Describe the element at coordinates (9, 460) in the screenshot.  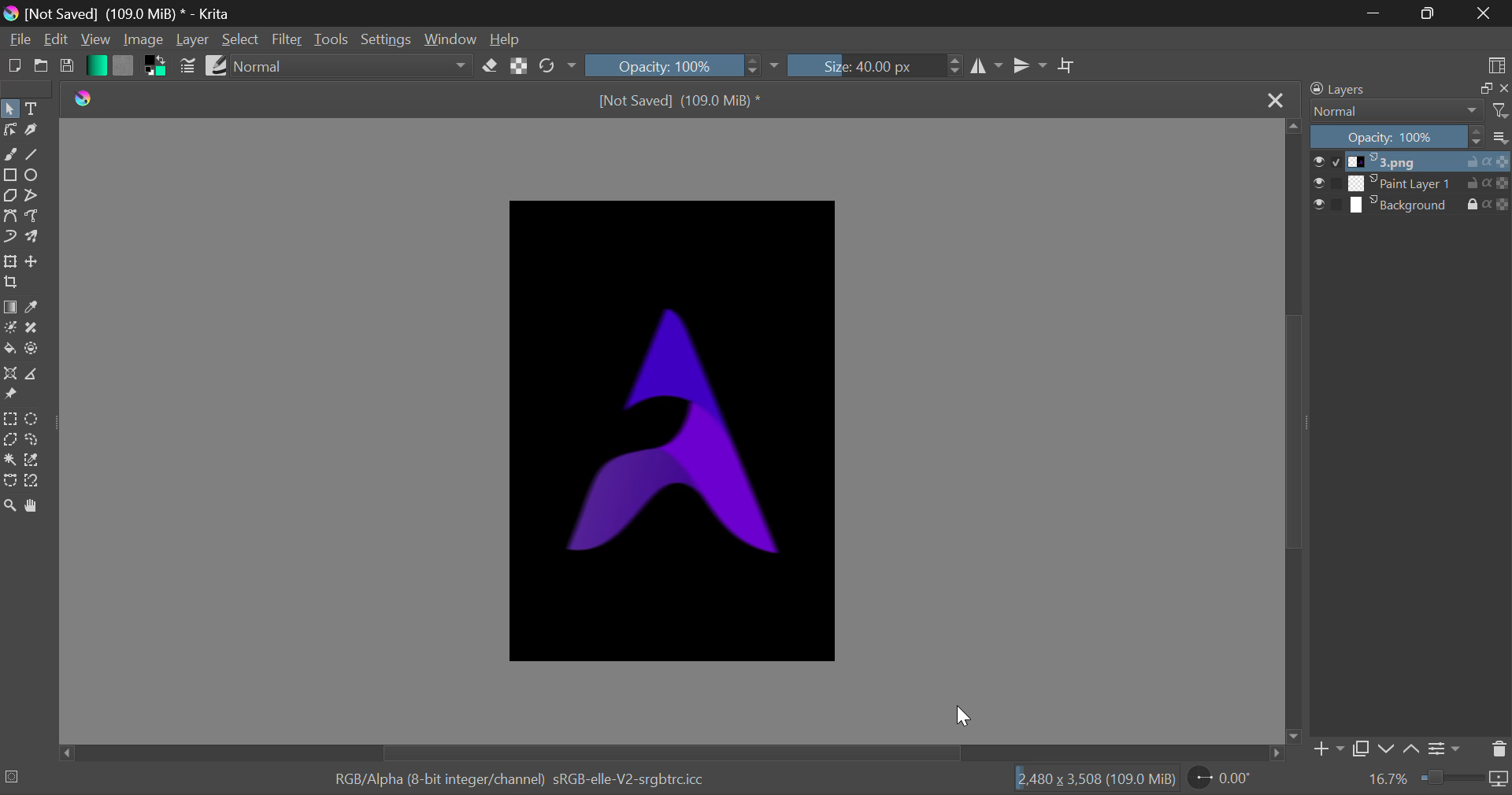
I see `Continuous Selection Tool` at that location.